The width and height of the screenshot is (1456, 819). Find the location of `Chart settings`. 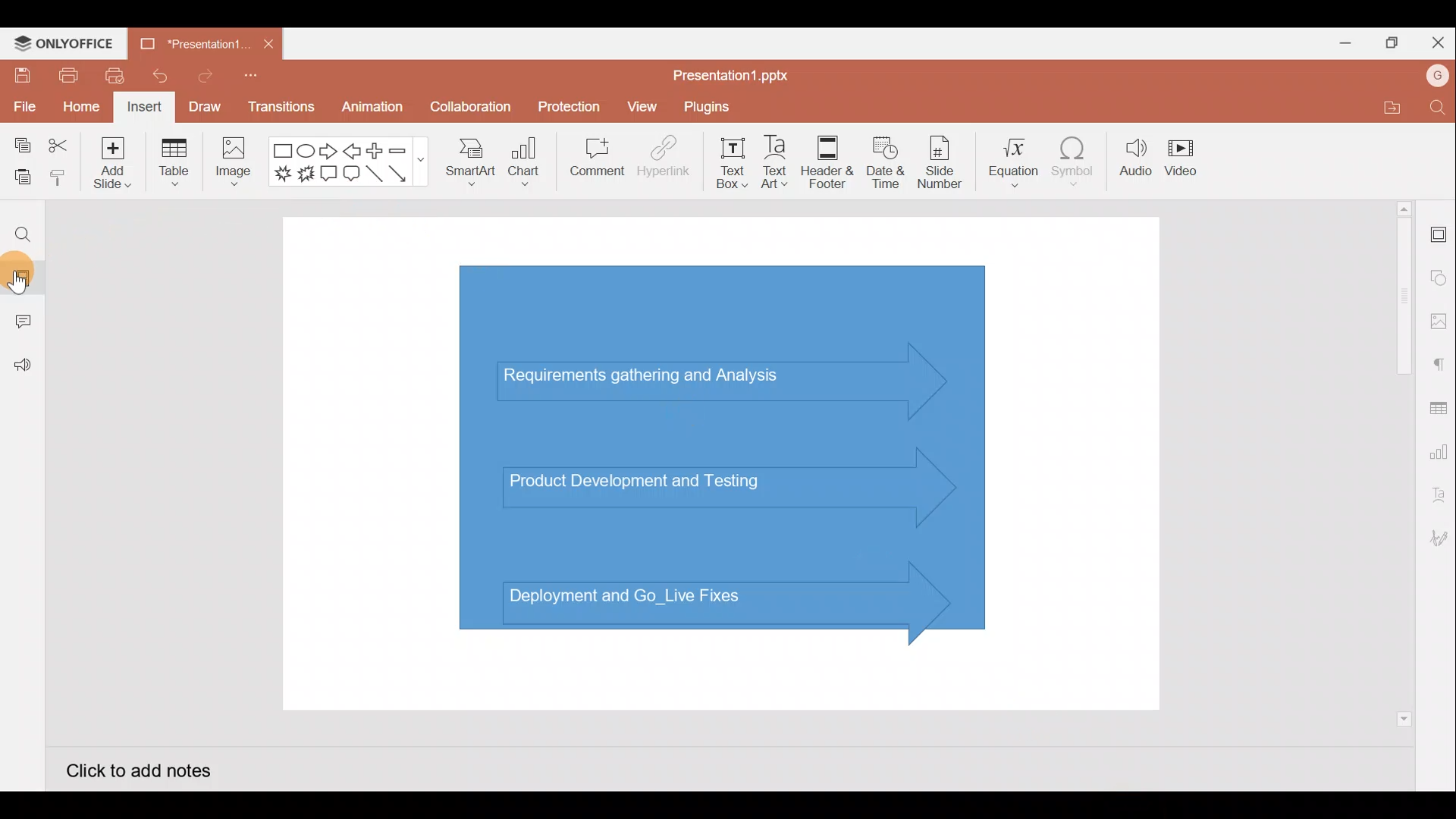

Chart settings is located at coordinates (1441, 454).